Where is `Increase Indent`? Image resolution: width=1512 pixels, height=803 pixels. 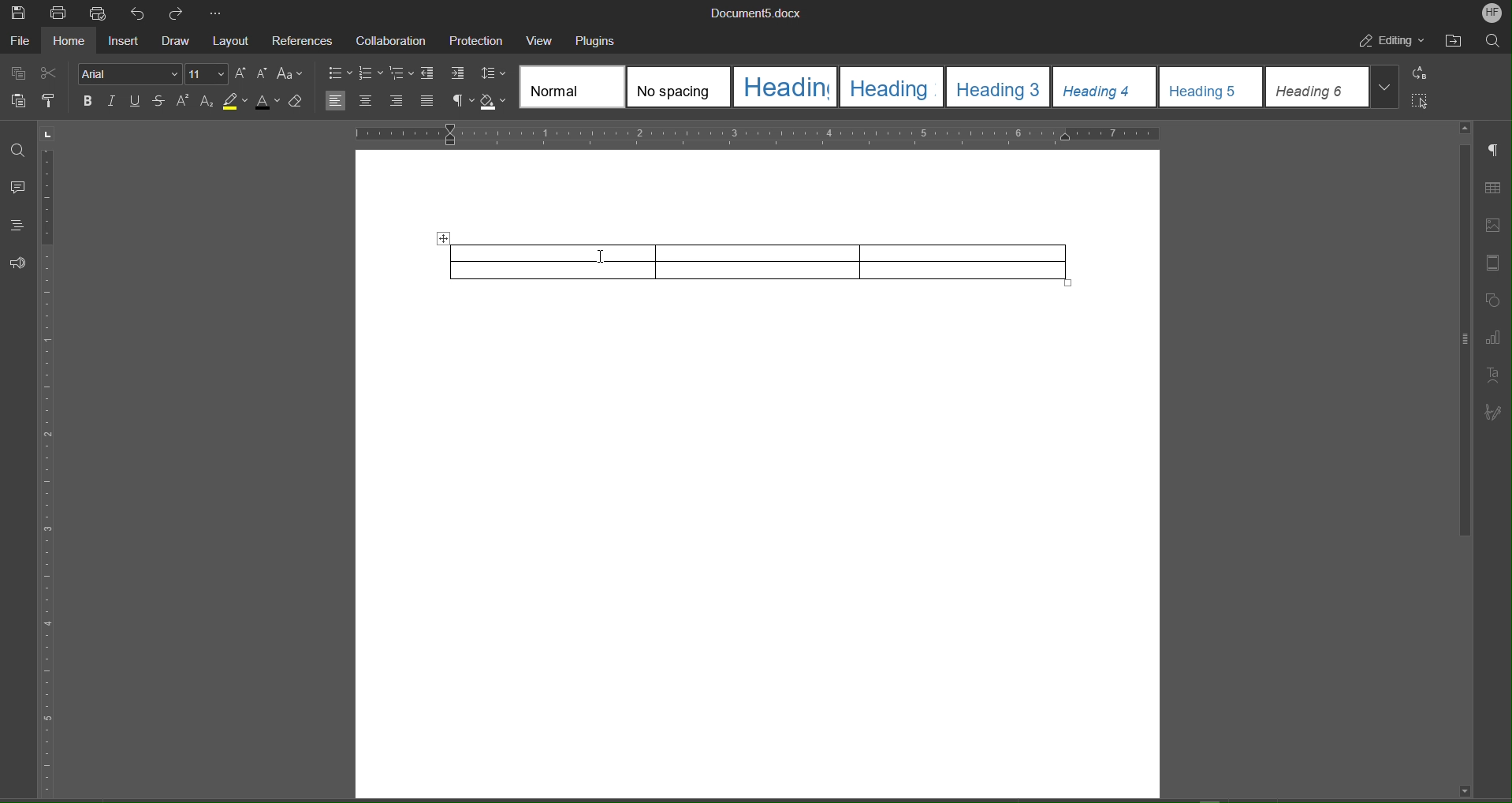
Increase Indent is located at coordinates (459, 74).